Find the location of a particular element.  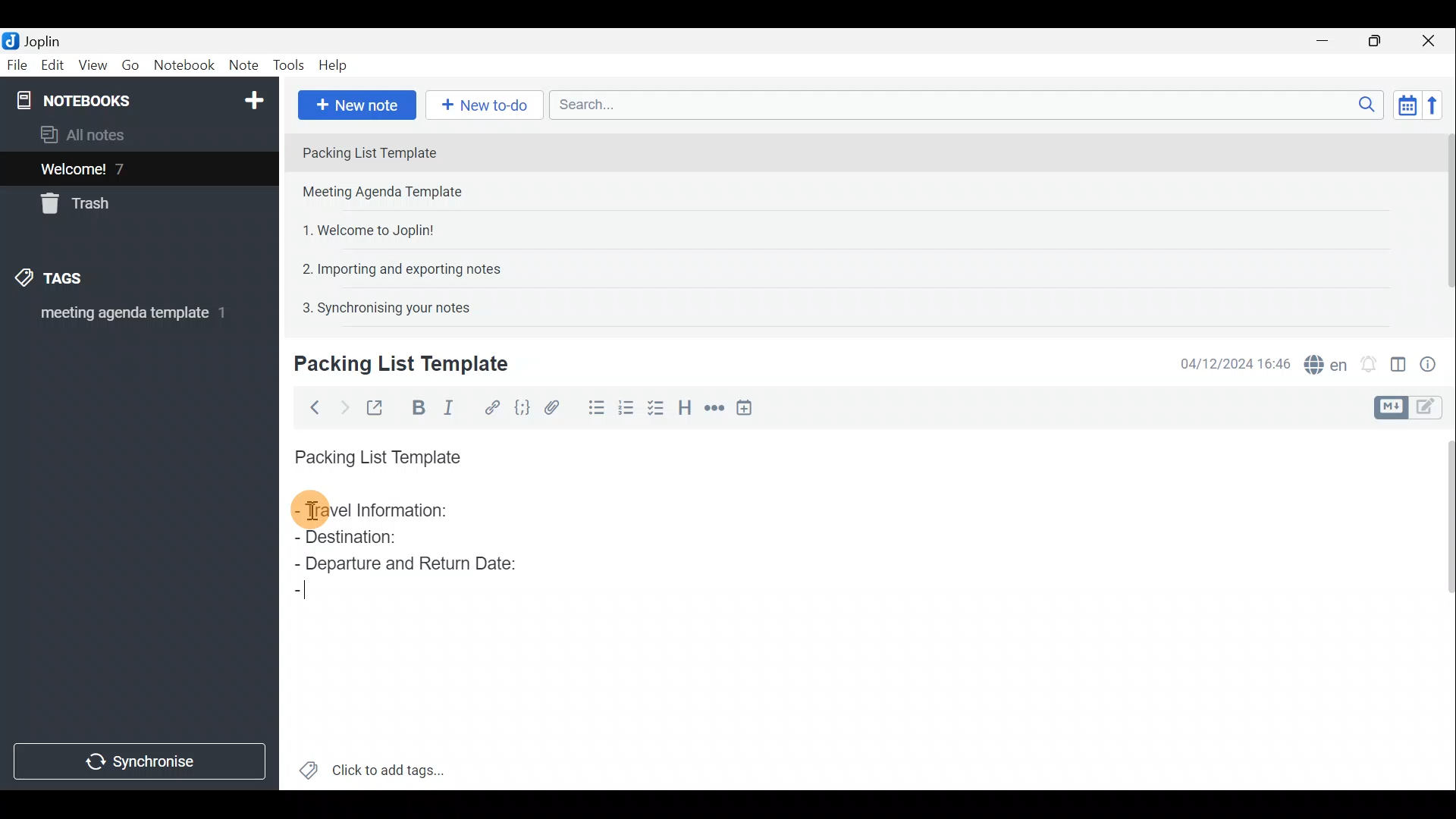

All notes is located at coordinates (88, 134).